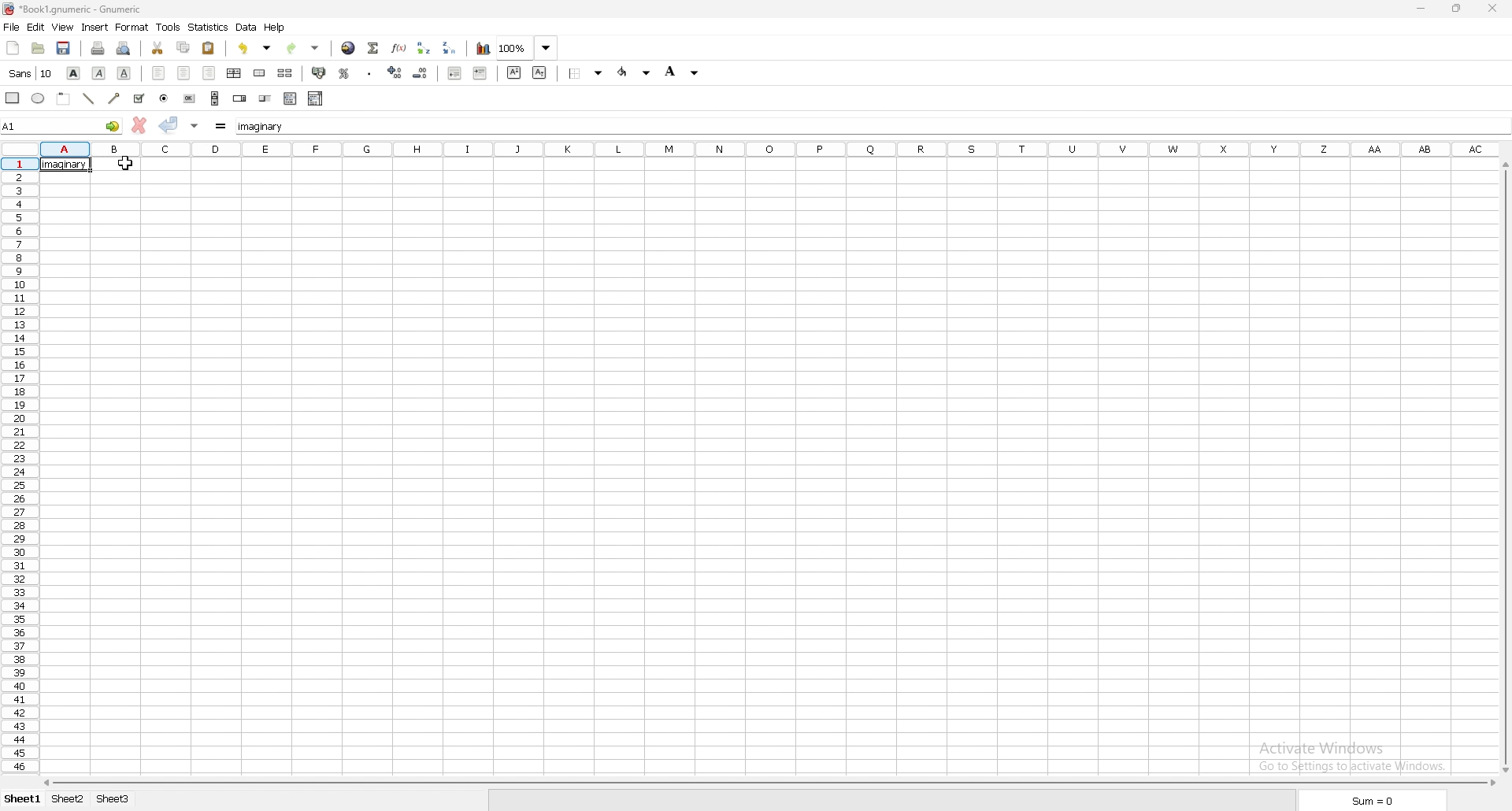 This screenshot has width=1512, height=811. I want to click on sheet 2, so click(69, 800).